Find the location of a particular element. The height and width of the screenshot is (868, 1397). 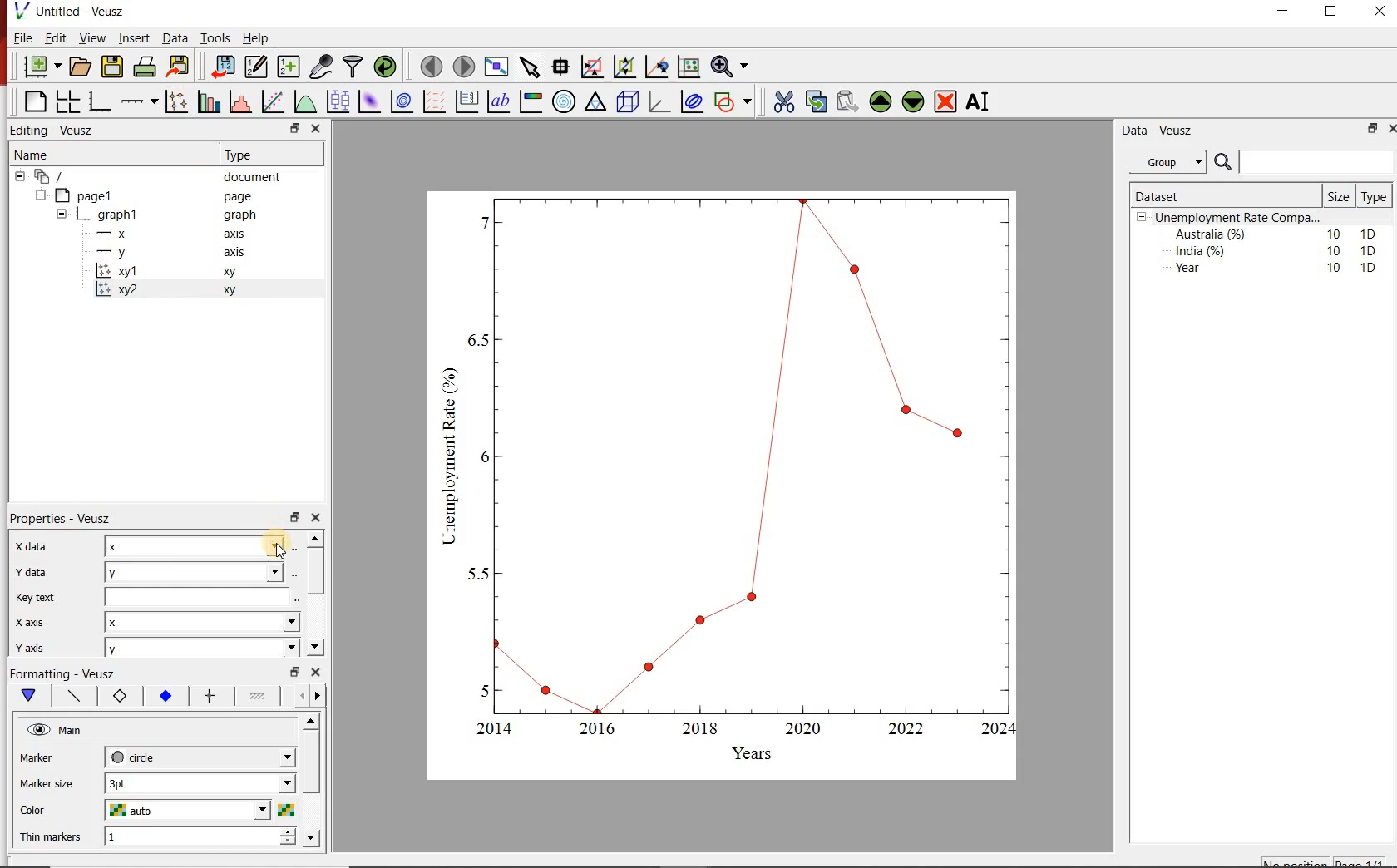

maximise is located at coordinates (1333, 15).